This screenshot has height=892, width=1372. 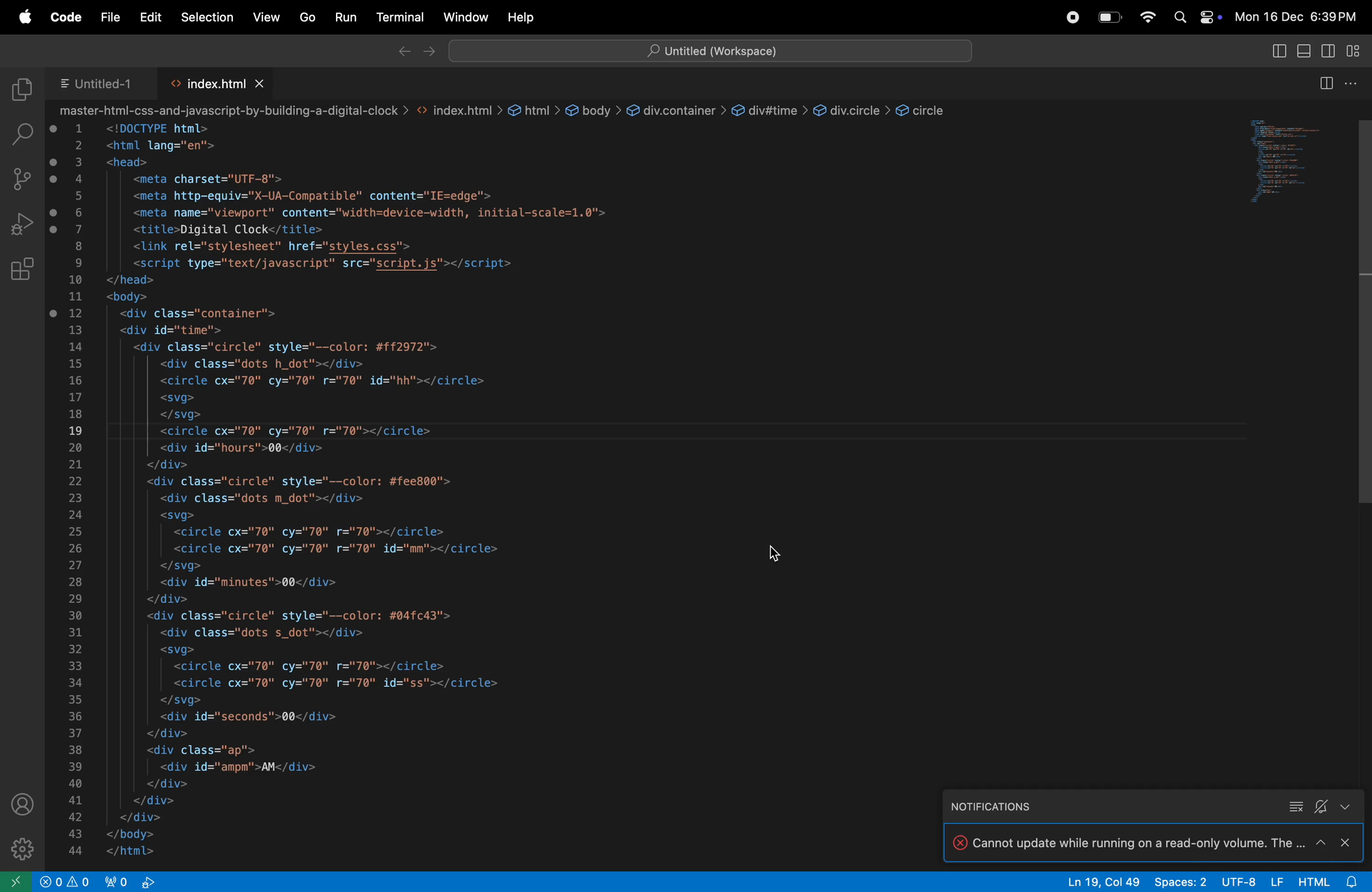 What do you see at coordinates (100, 84) in the screenshot?
I see `untitled 1` at bounding box center [100, 84].